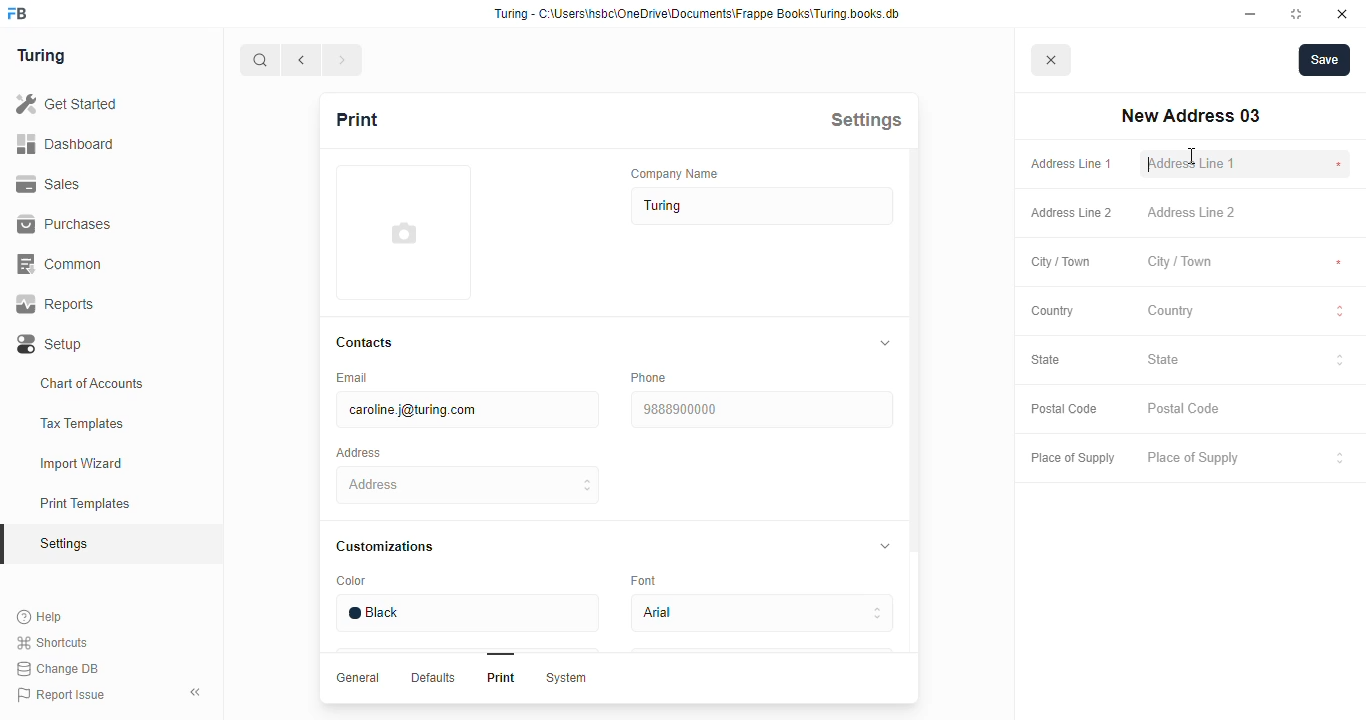 The height and width of the screenshot is (720, 1366). I want to click on address line 1, so click(1071, 164).